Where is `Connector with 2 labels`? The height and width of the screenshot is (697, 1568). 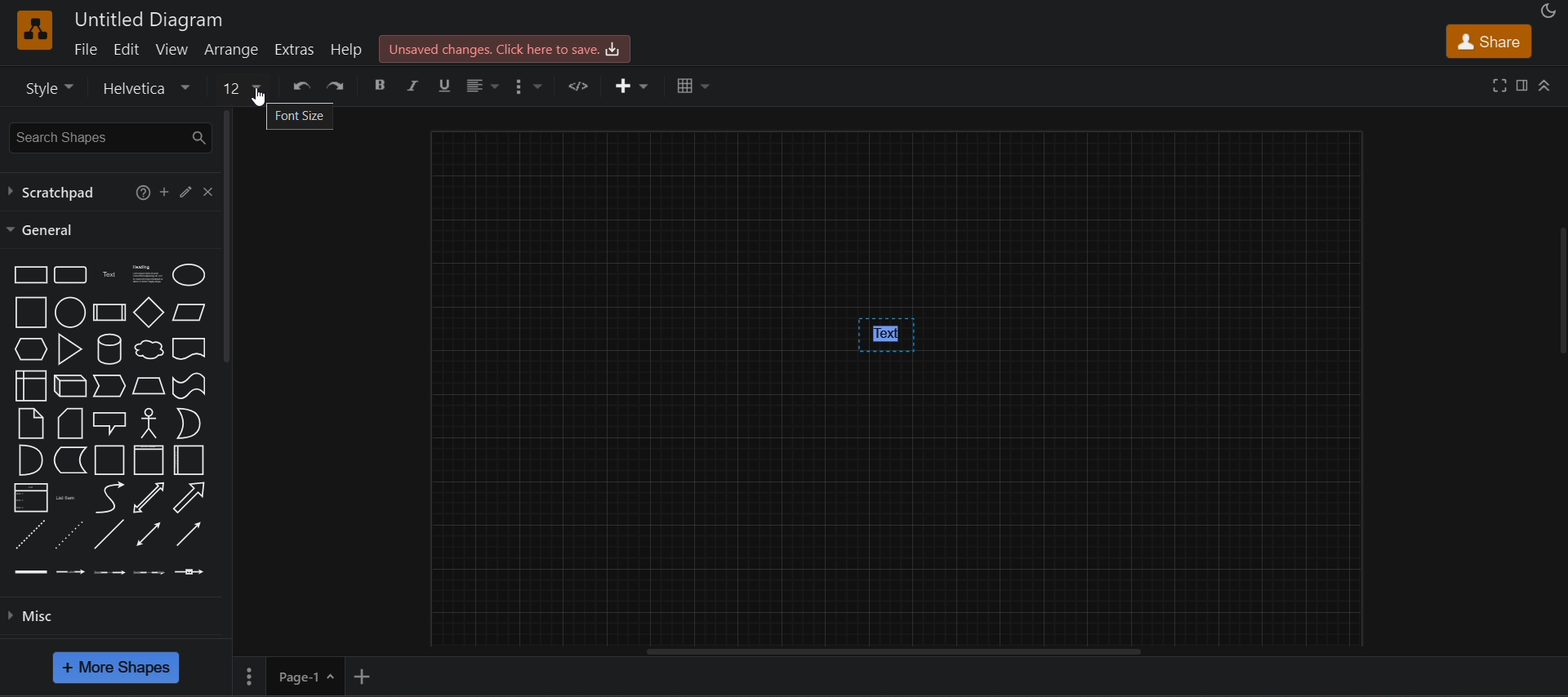
Connector with 2 labels is located at coordinates (109, 573).